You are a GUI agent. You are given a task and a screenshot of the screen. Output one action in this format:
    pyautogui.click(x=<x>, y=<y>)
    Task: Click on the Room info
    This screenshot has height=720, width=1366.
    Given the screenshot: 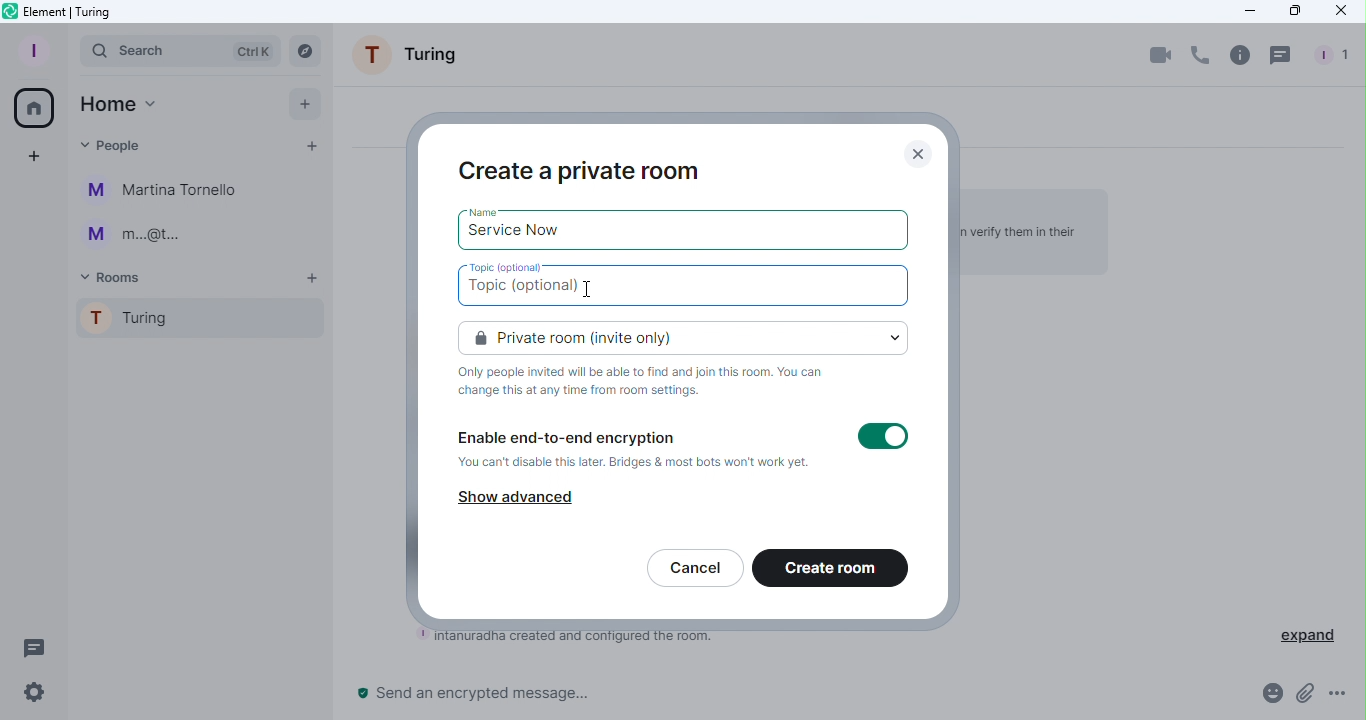 What is the action you would take?
    pyautogui.click(x=1239, y=54)
    